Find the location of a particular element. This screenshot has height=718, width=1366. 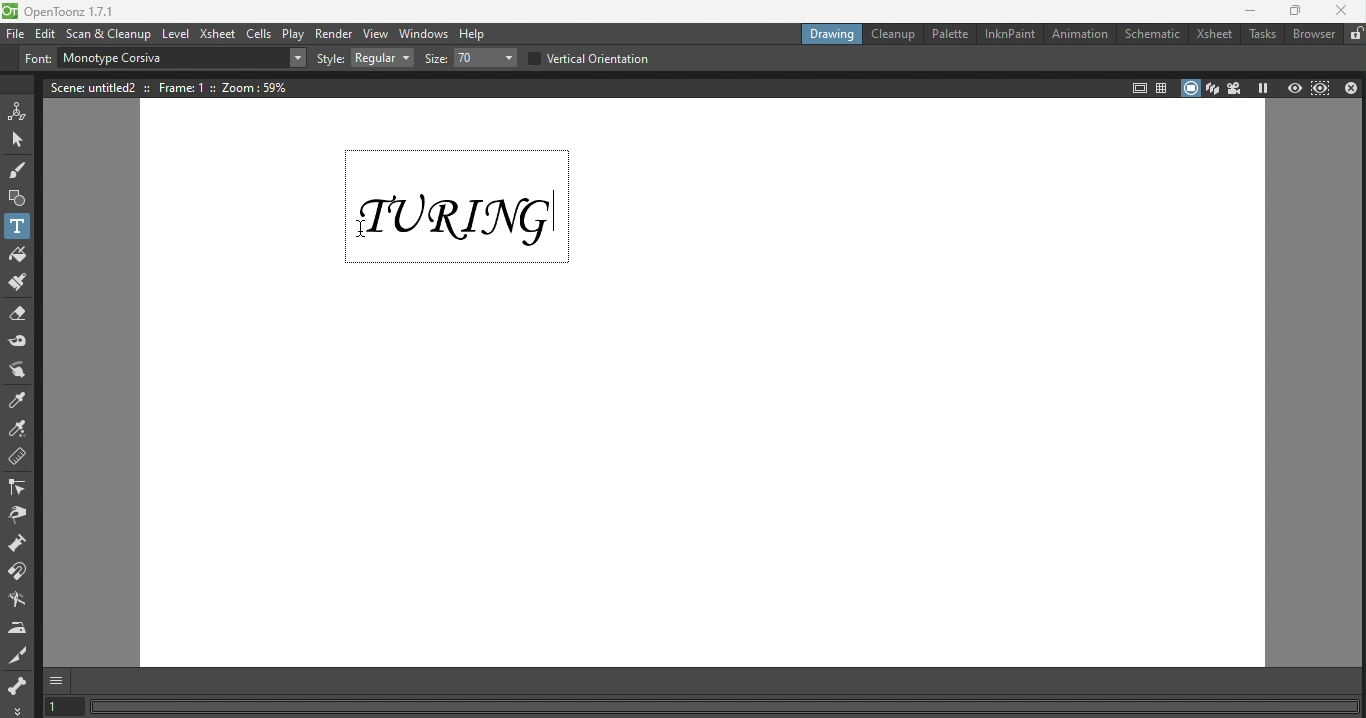

Preview is located at coordinates (1292, 90).